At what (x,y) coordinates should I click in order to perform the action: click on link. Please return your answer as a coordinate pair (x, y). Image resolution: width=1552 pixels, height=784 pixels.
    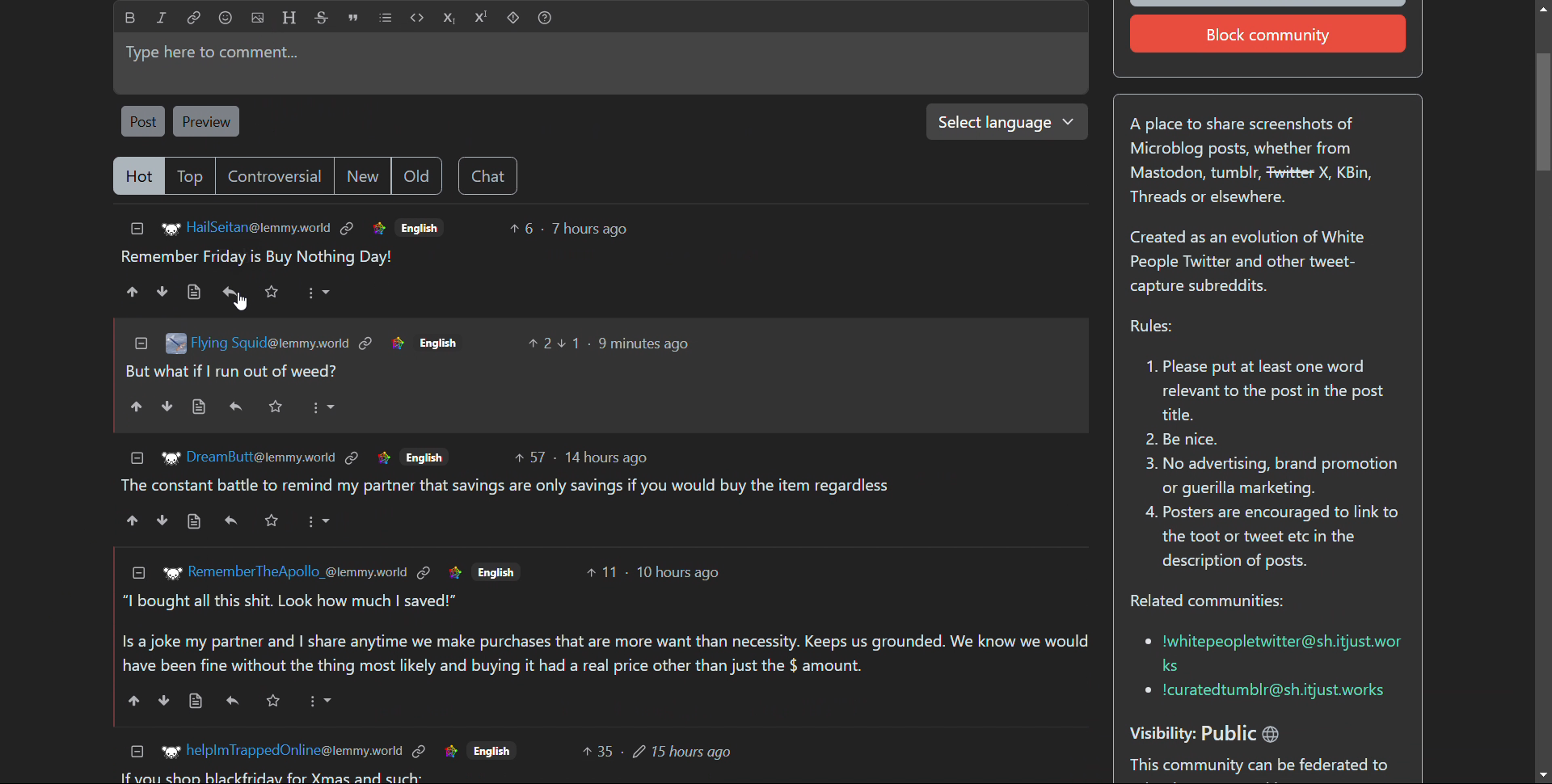
    Looking at the image, I should click on (396, 344).